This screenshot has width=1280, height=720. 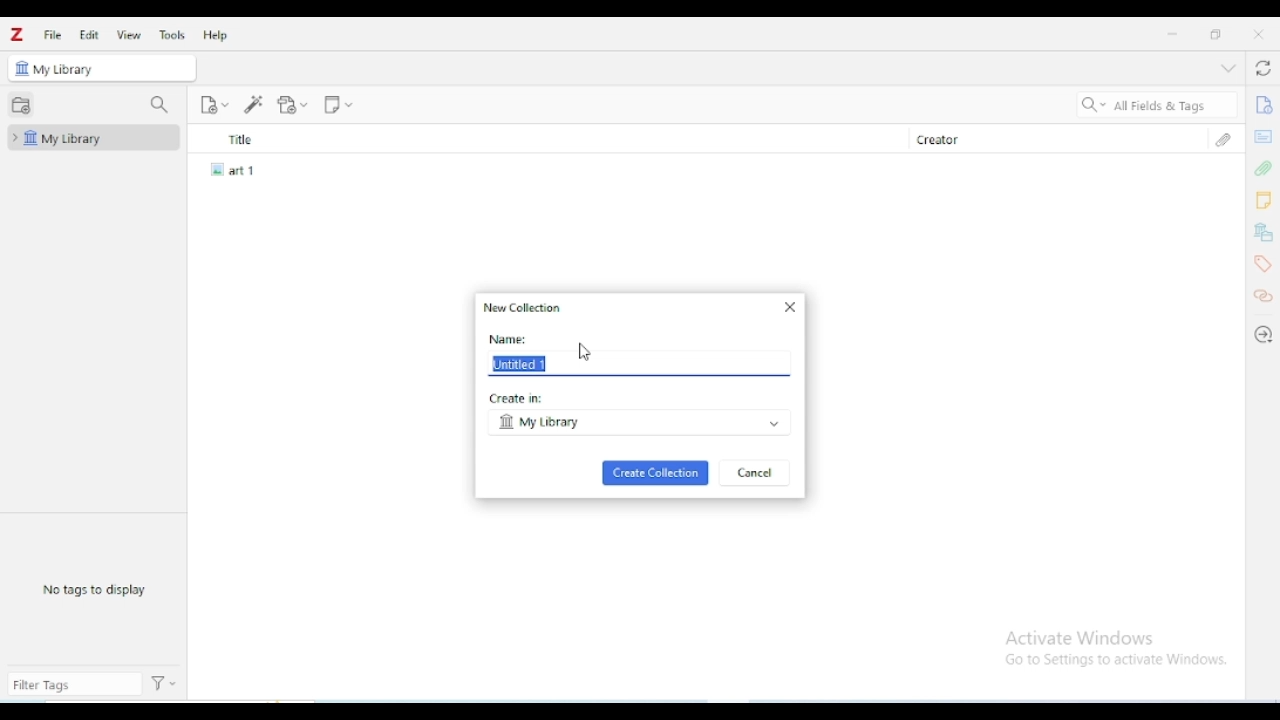 What do you see at coordinates (1263, 135) in the screenshot?
I see `abstract` at bounding box center [1263, 135].